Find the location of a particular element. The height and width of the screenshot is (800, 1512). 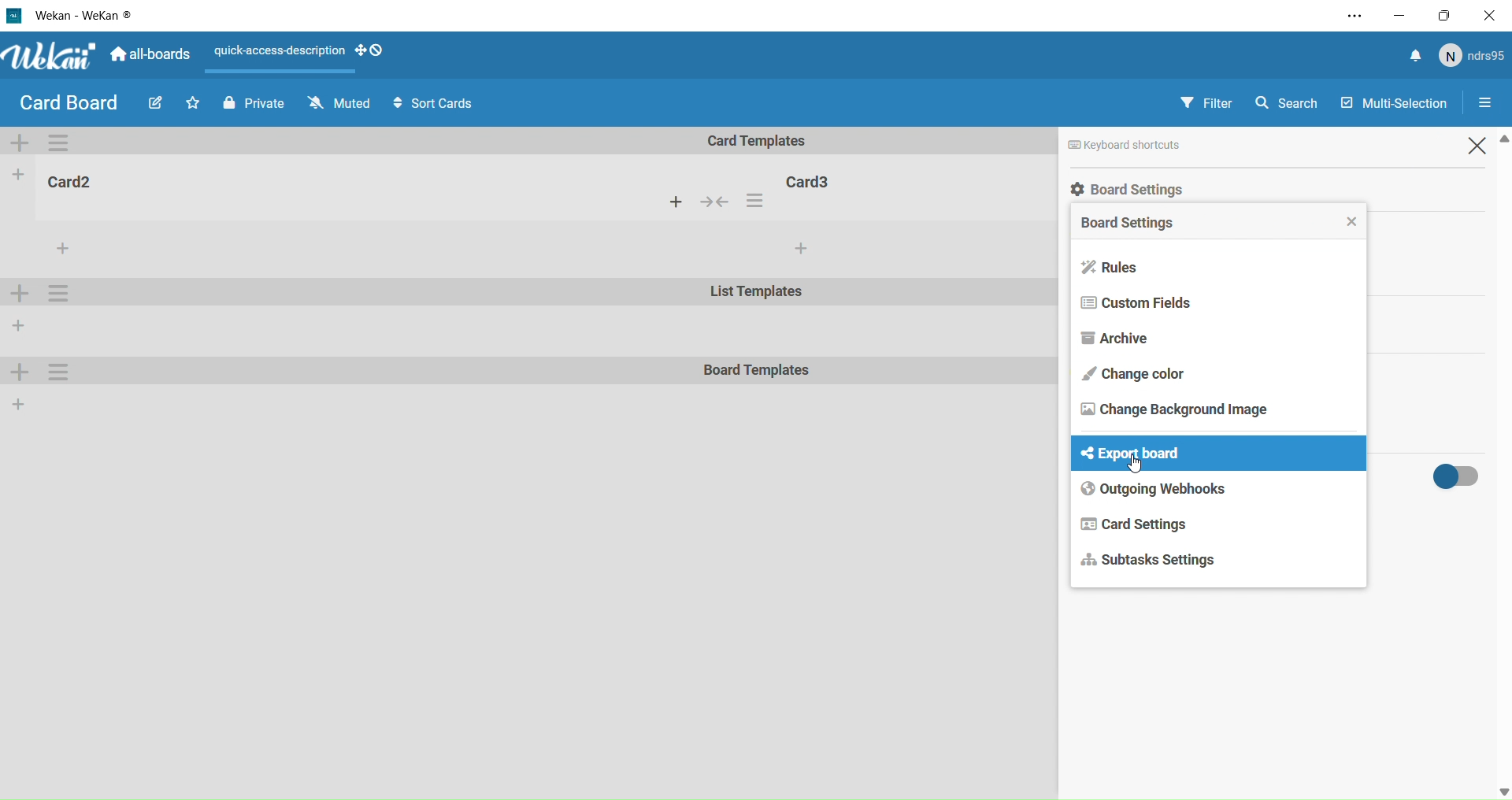

Settings and more is located at coordinates (1348, 17).